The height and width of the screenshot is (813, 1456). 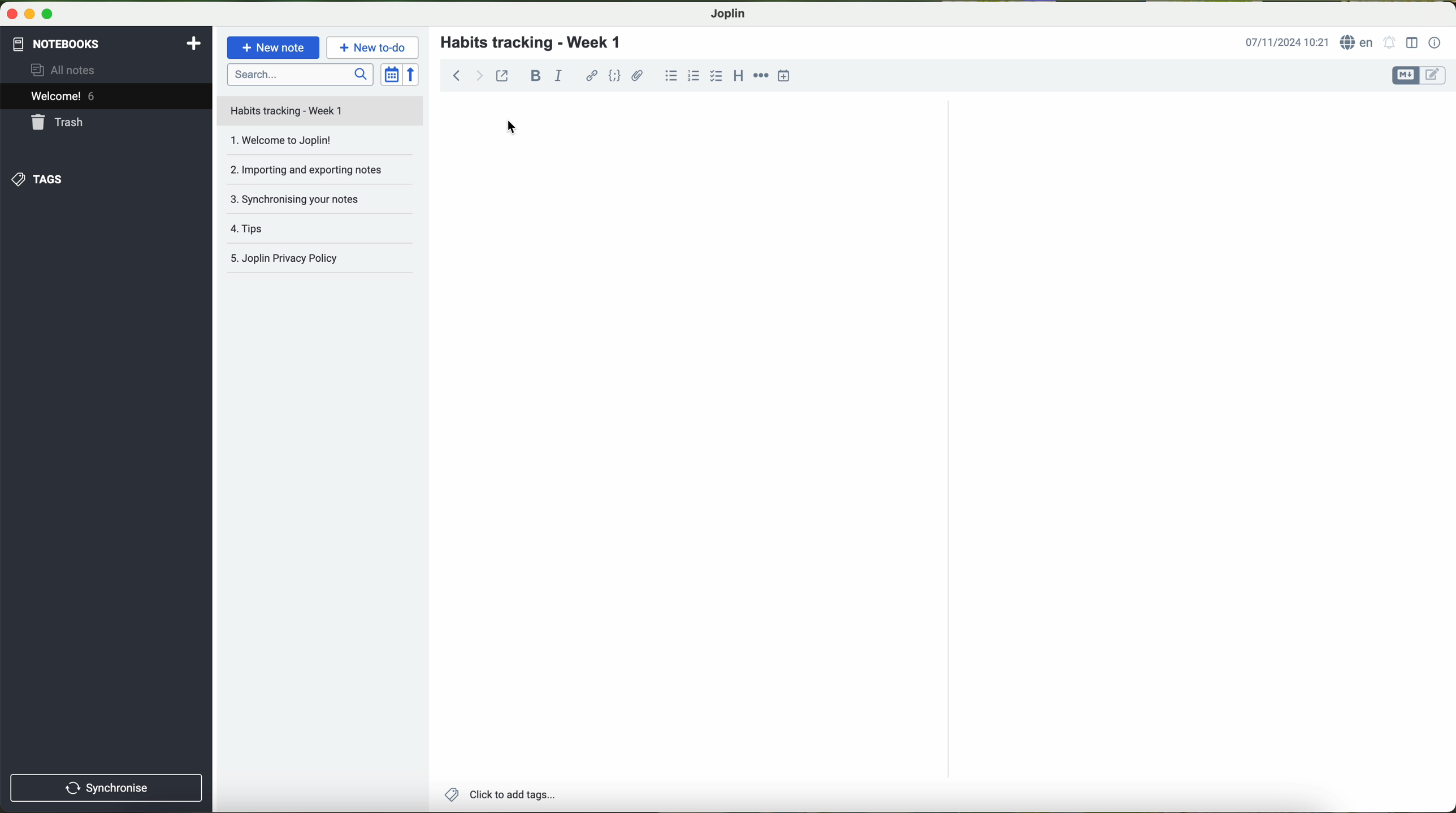 I want to click on all notes, so click(x=66, y=69).